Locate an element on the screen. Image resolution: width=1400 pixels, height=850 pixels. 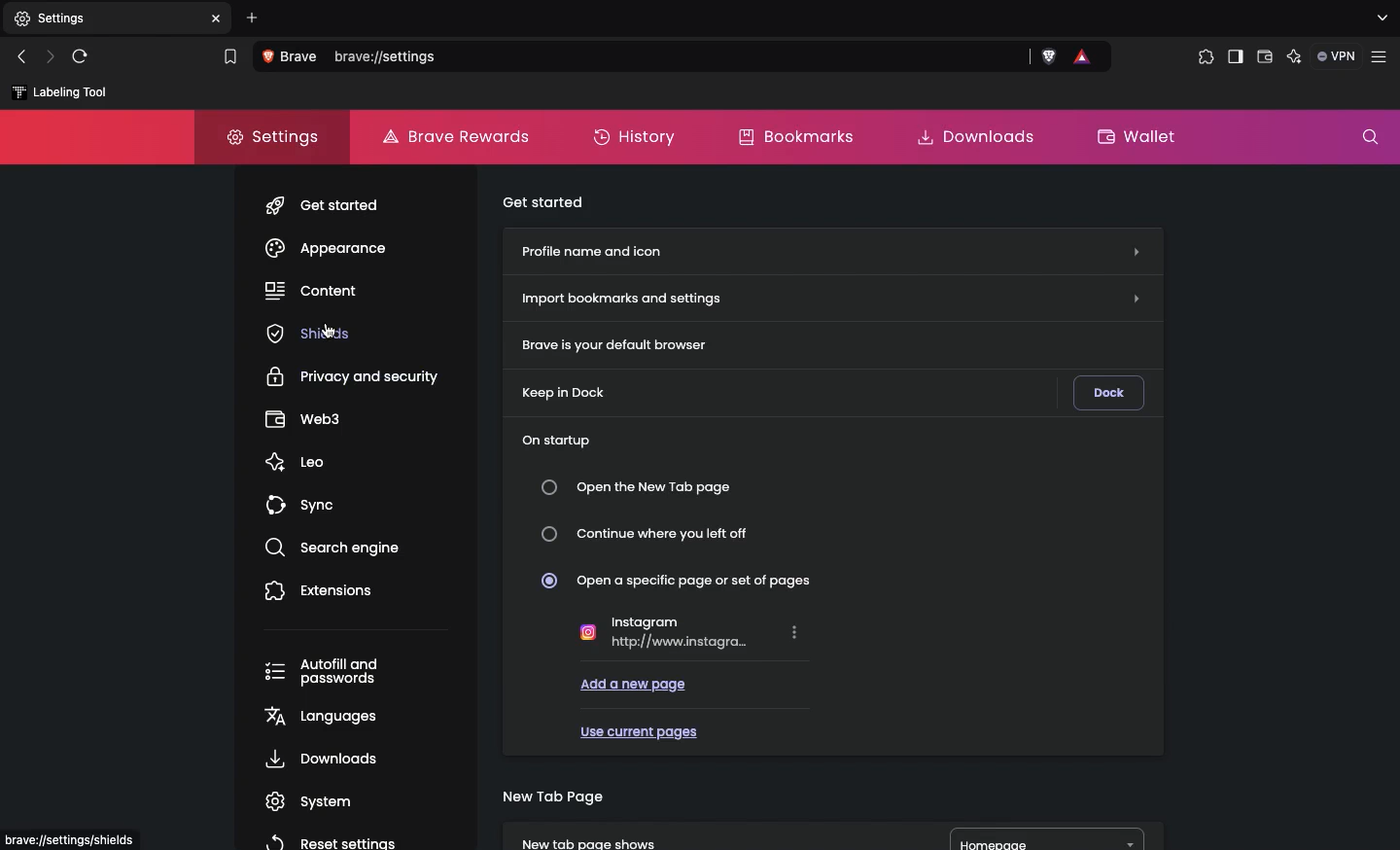
Get started is located at coordinates (329, 205).